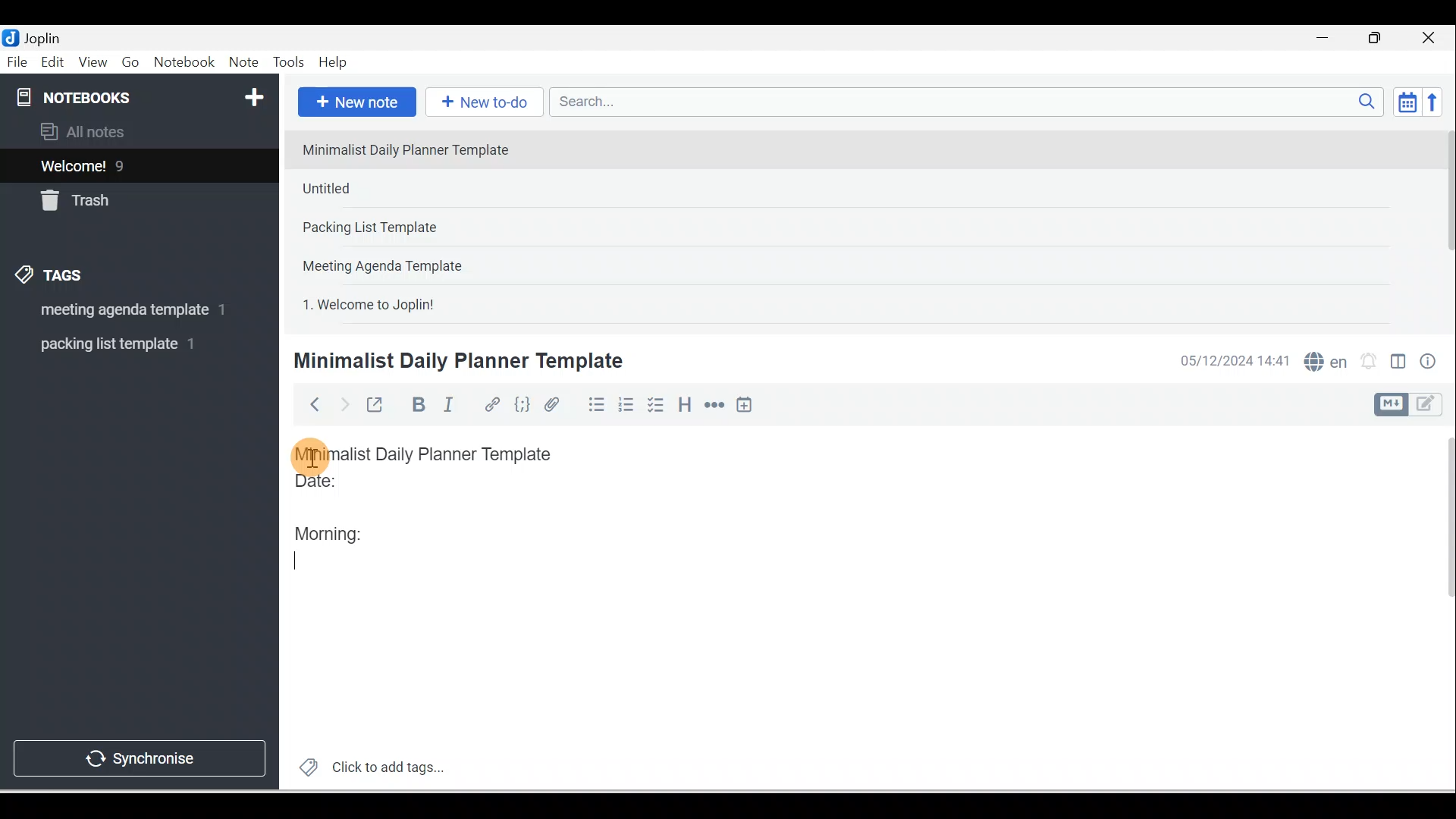  What do you see at coordinates (1444, 224) in the screenshot?
I see `Scroll bar` at bounding box center [1444, 224].